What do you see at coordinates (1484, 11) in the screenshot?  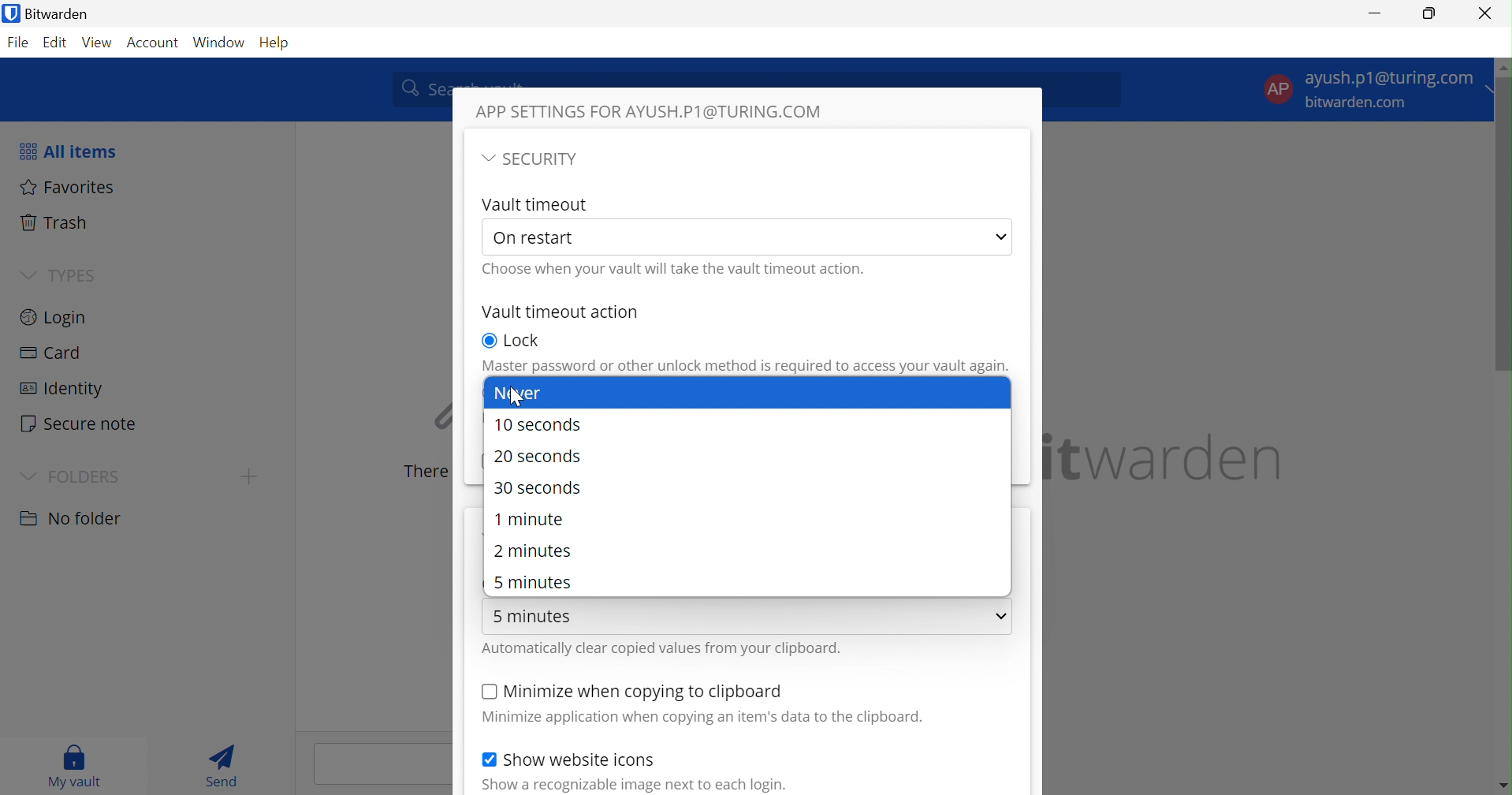 I see `Close` at bounding box center [1484, 11].